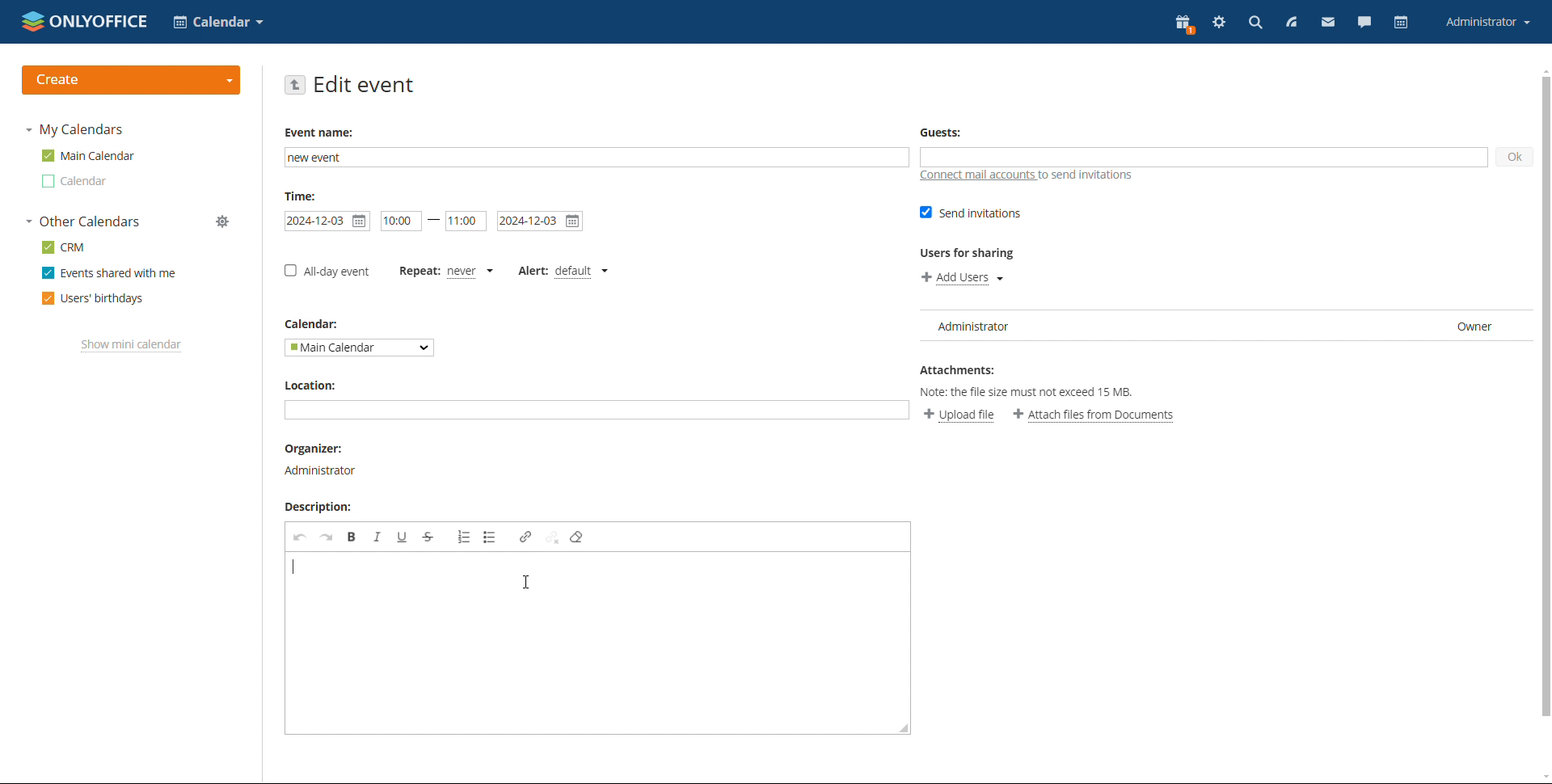  I want to click on upload file, so click(959, 415).